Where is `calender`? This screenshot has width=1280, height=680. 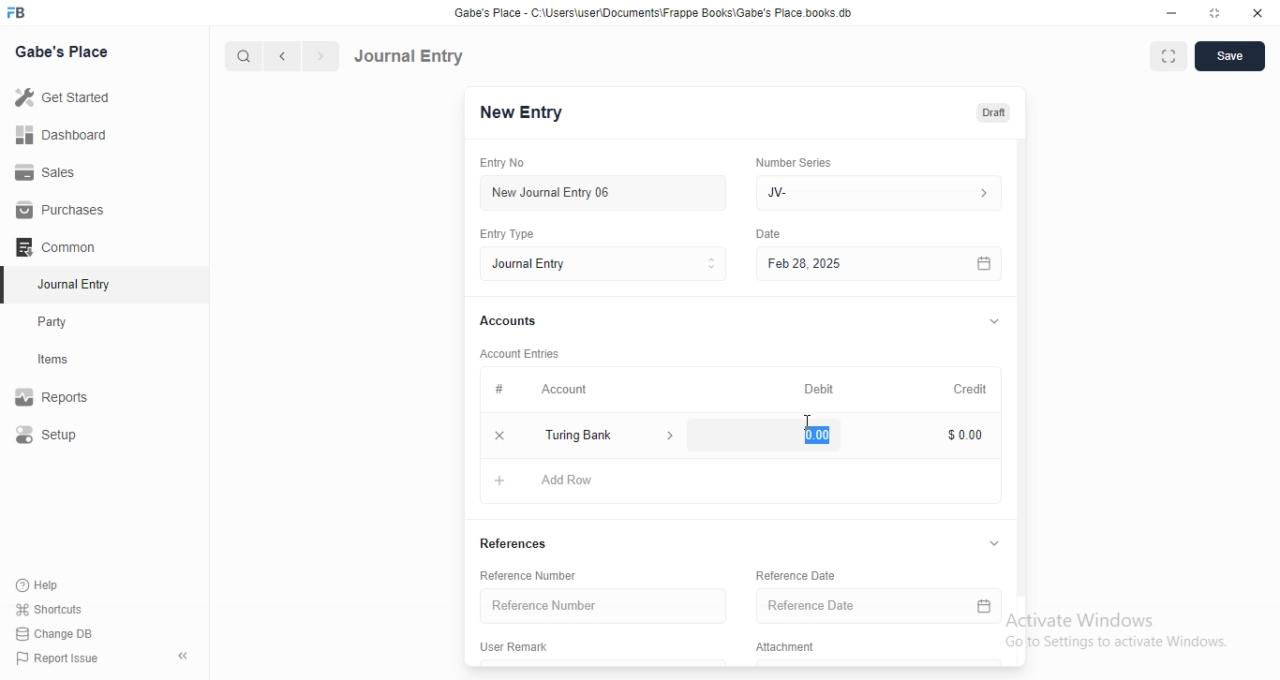
calender is located at coordinates (984, 263).